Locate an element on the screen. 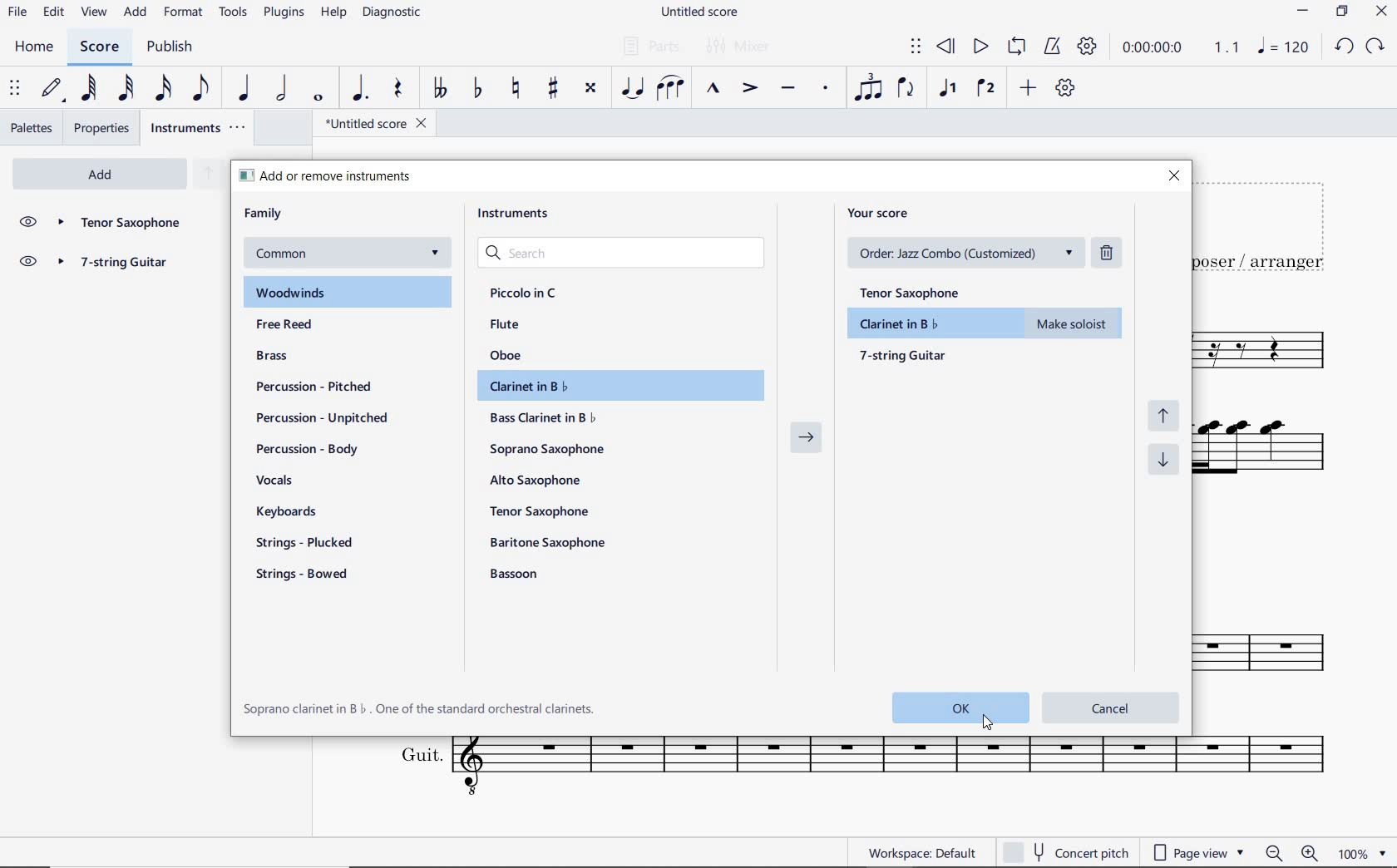 Image resolution: width=1397 pixels, height=868 pixels. UNDO is located at coordinates (1344, 47).